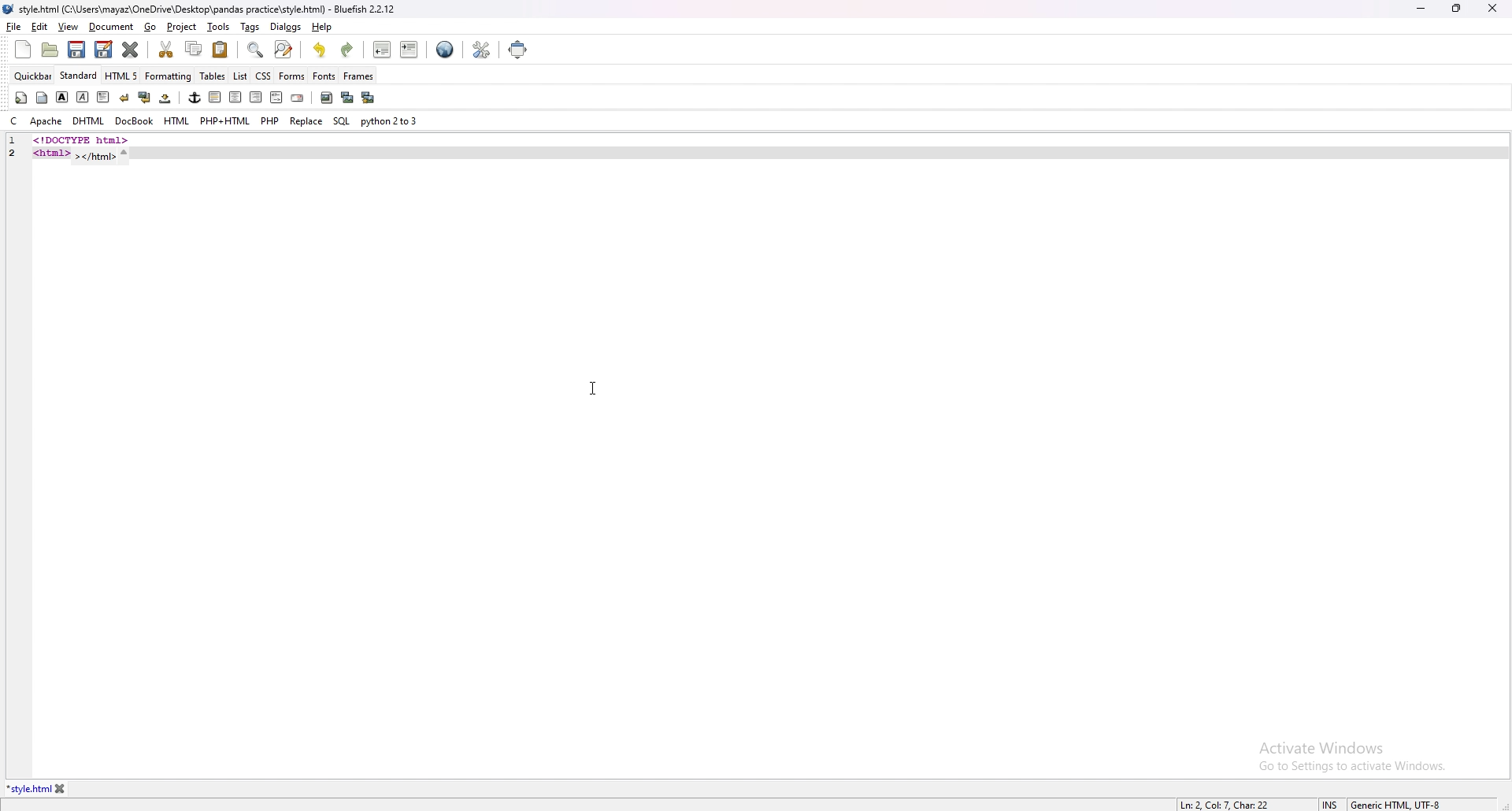 Image resolution: width=1512 pixels, height=811 pixels. I want to click on c, so click(13, 121).